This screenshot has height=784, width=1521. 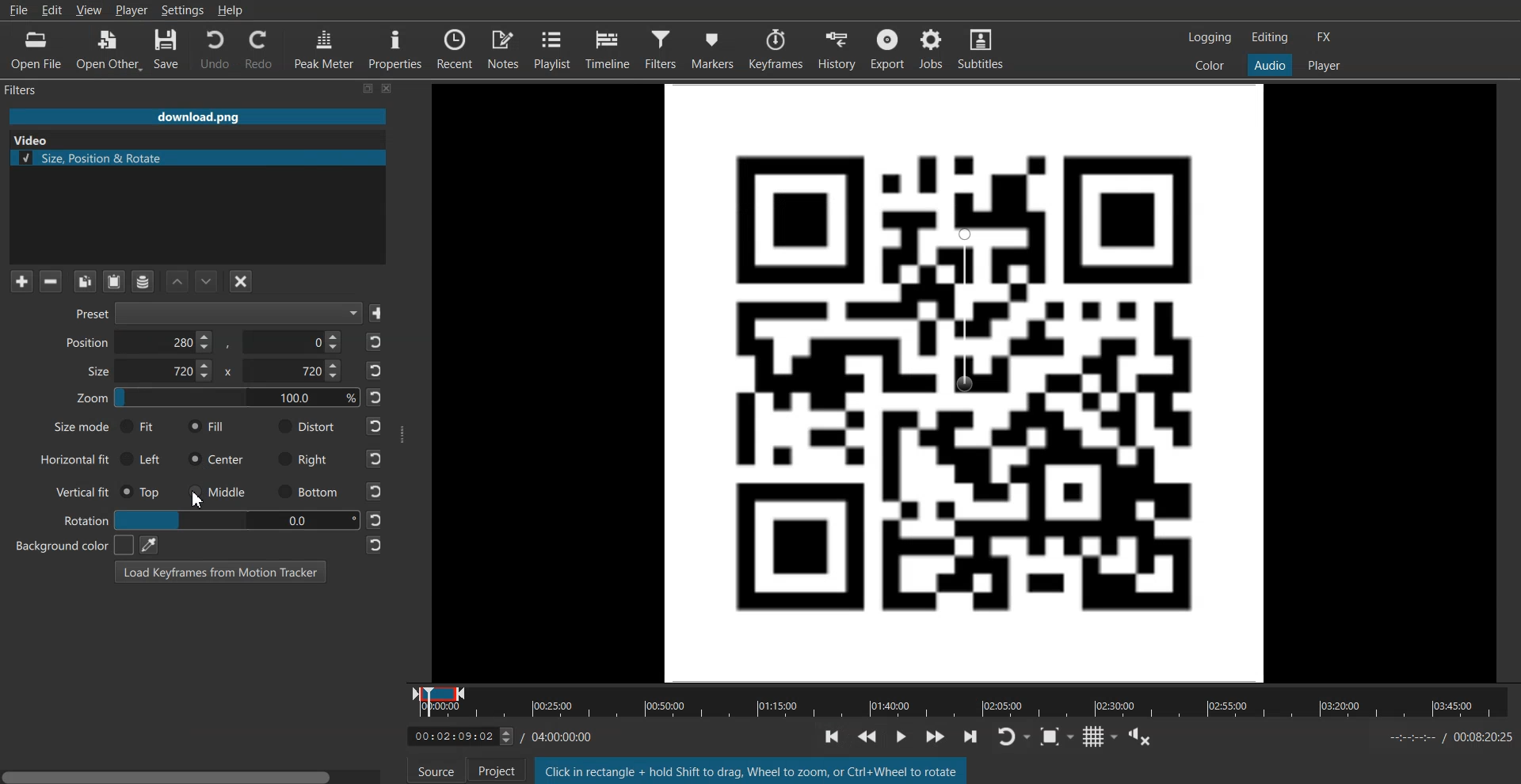 What do you see at coordinates (183, 10) in the screenshot?
I see `Settings` at bounding box center [183, 10].